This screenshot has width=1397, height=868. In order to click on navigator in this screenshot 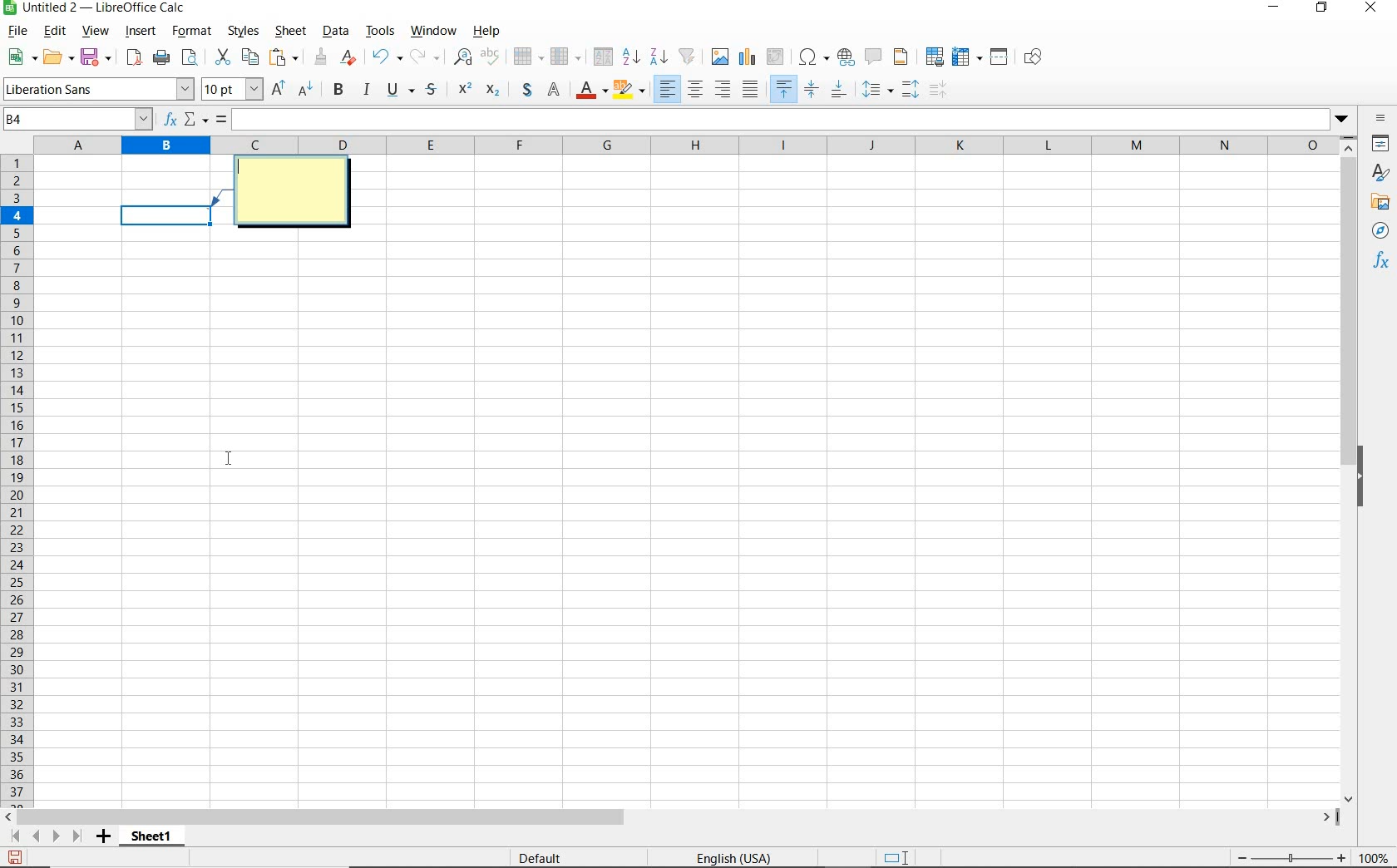, I will do `click(1382, 230)`.